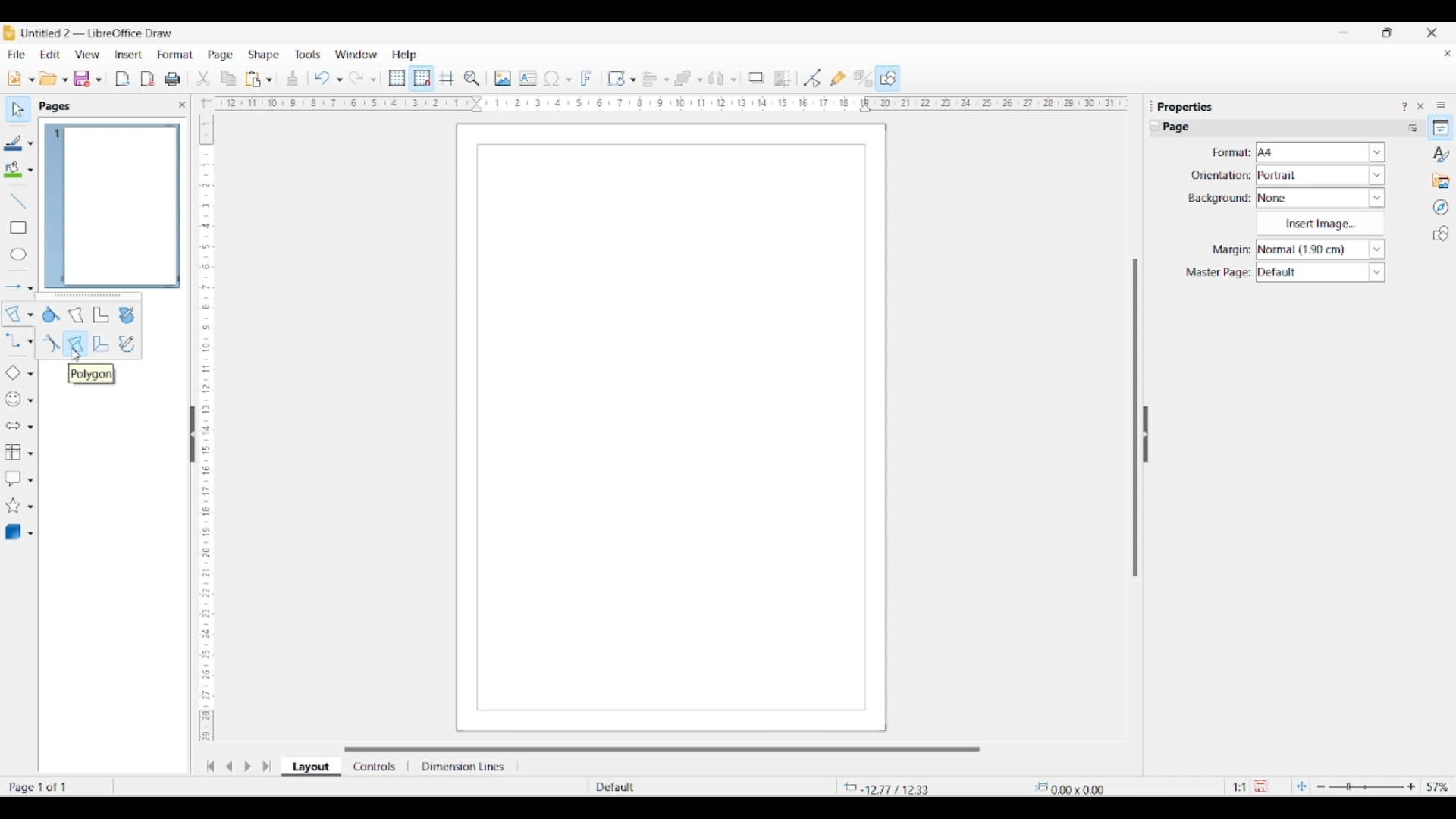 The height and width of the screenshot is (819, 1456). I want to click on Helplines while moving, so click(447, 77).